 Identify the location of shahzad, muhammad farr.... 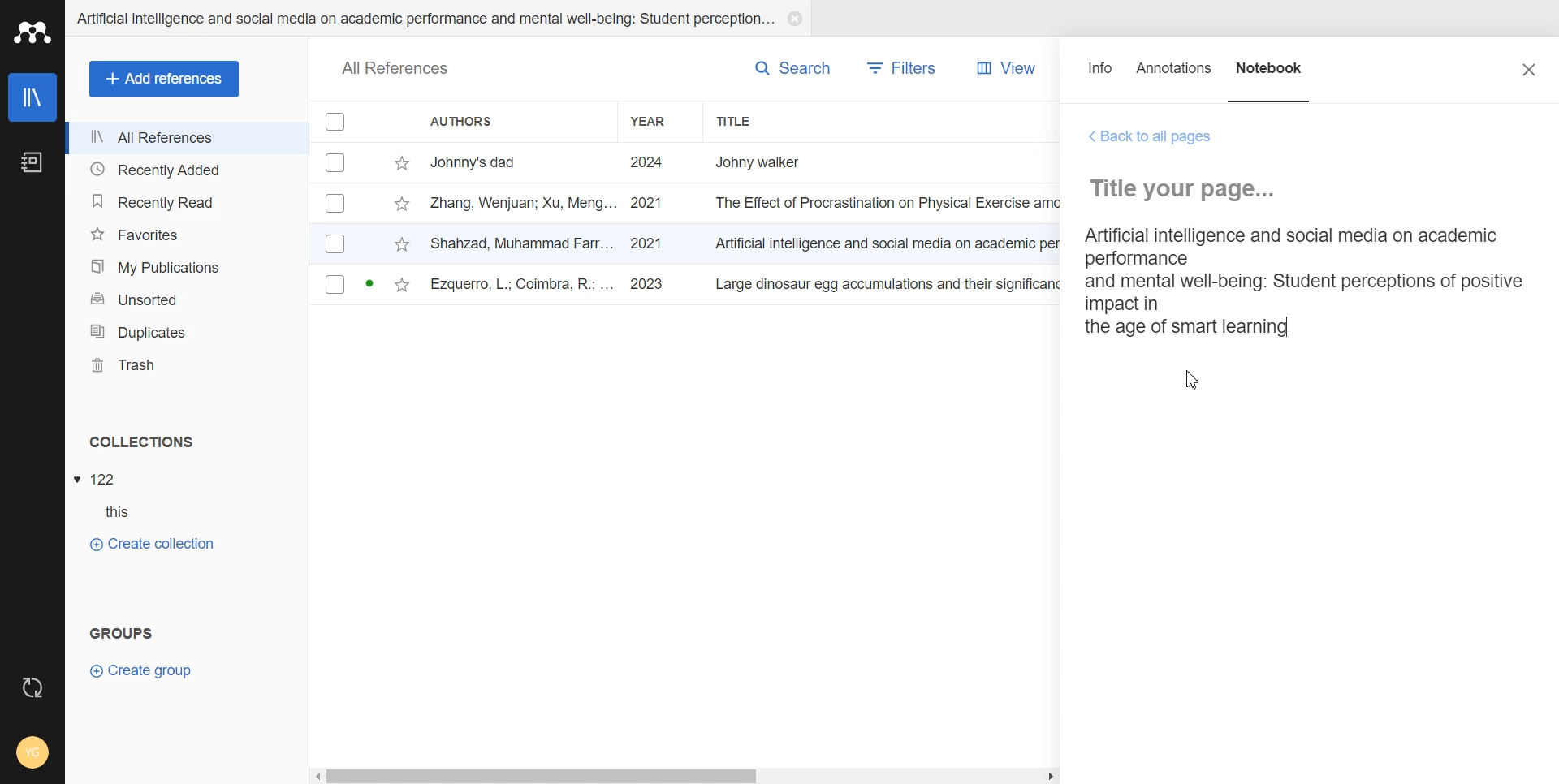
(524, 243).